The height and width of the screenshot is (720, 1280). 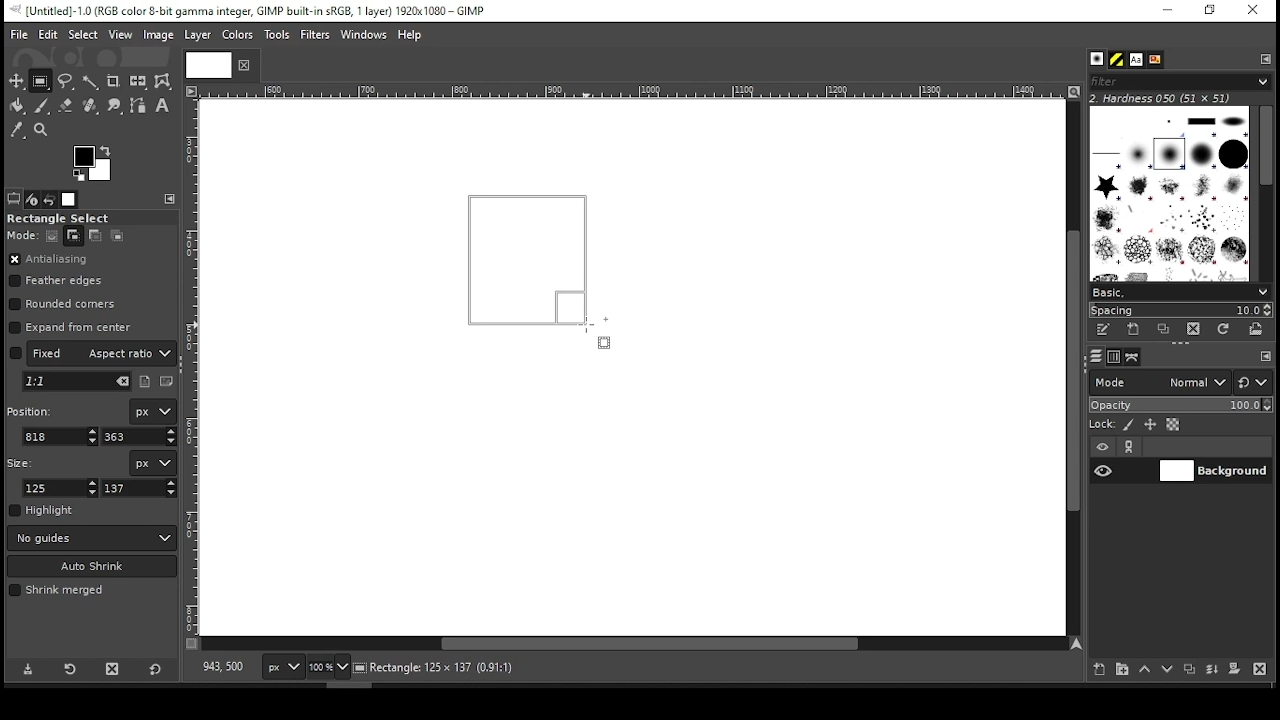 I want to click on delete layer, so click(x=1259, y=669).